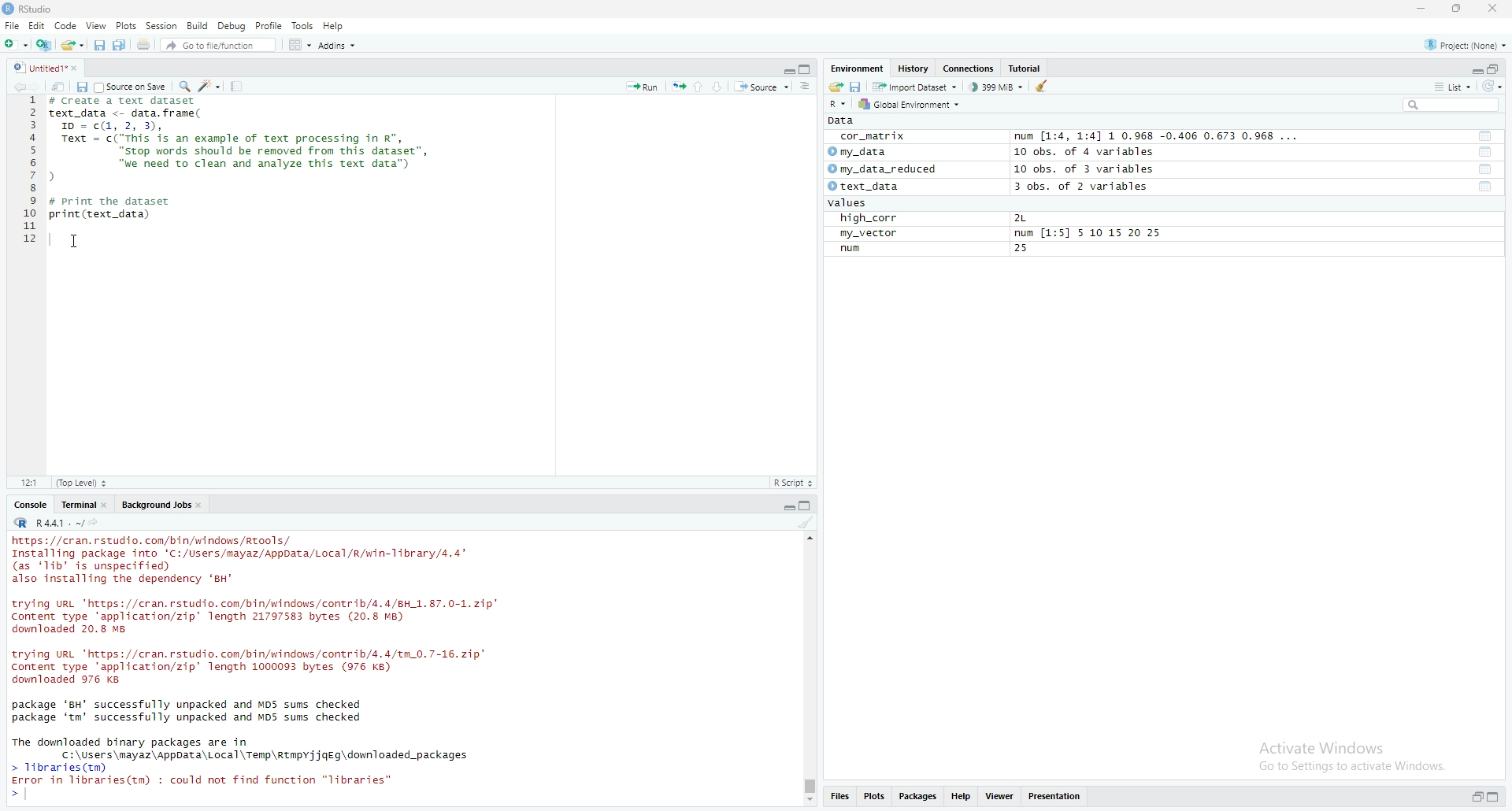 The image size is (1512, 811). I want to click on packages, so click(919, 796).